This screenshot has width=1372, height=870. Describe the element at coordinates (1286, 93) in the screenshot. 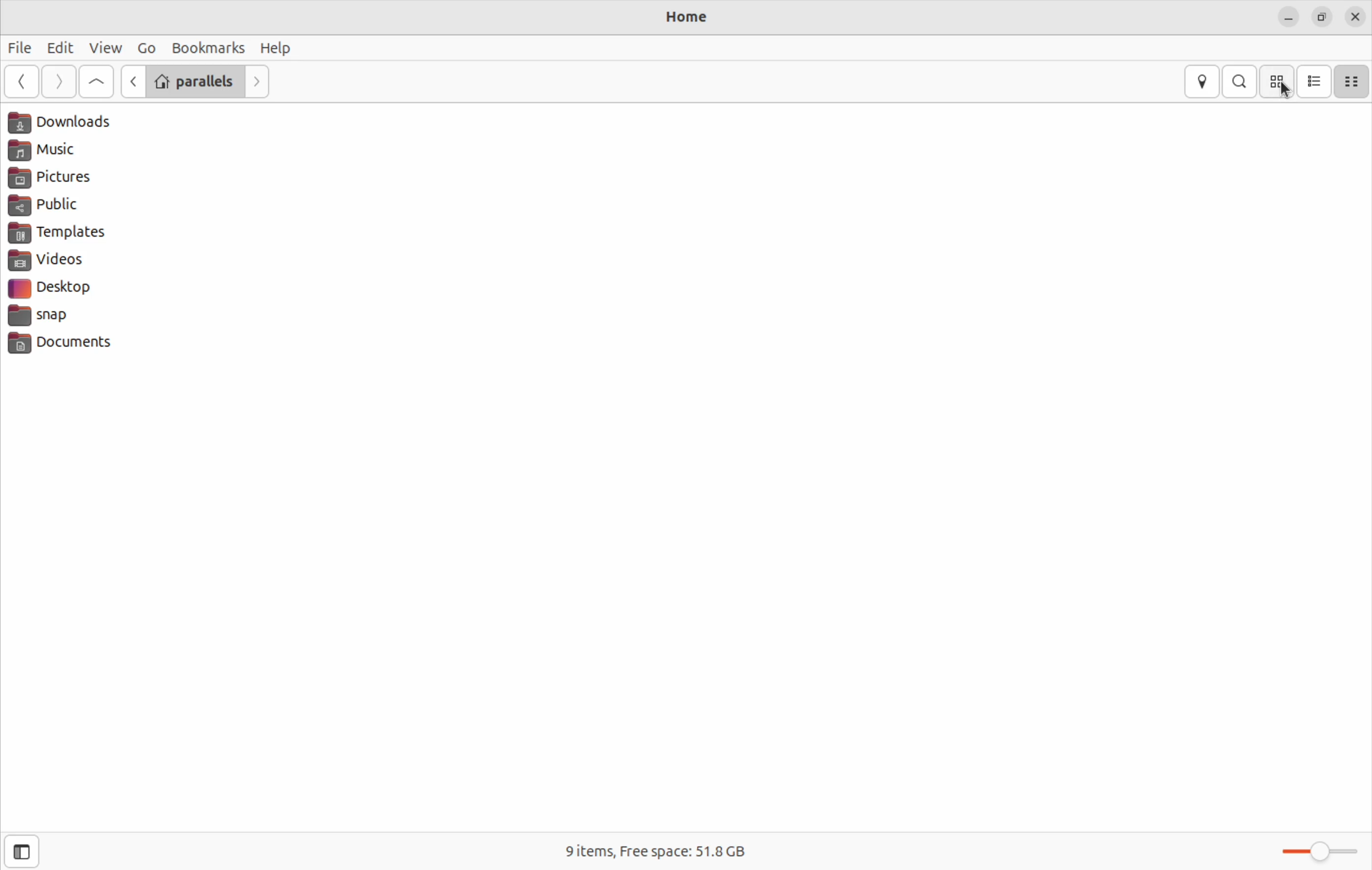

I see `Cursor` at that location.